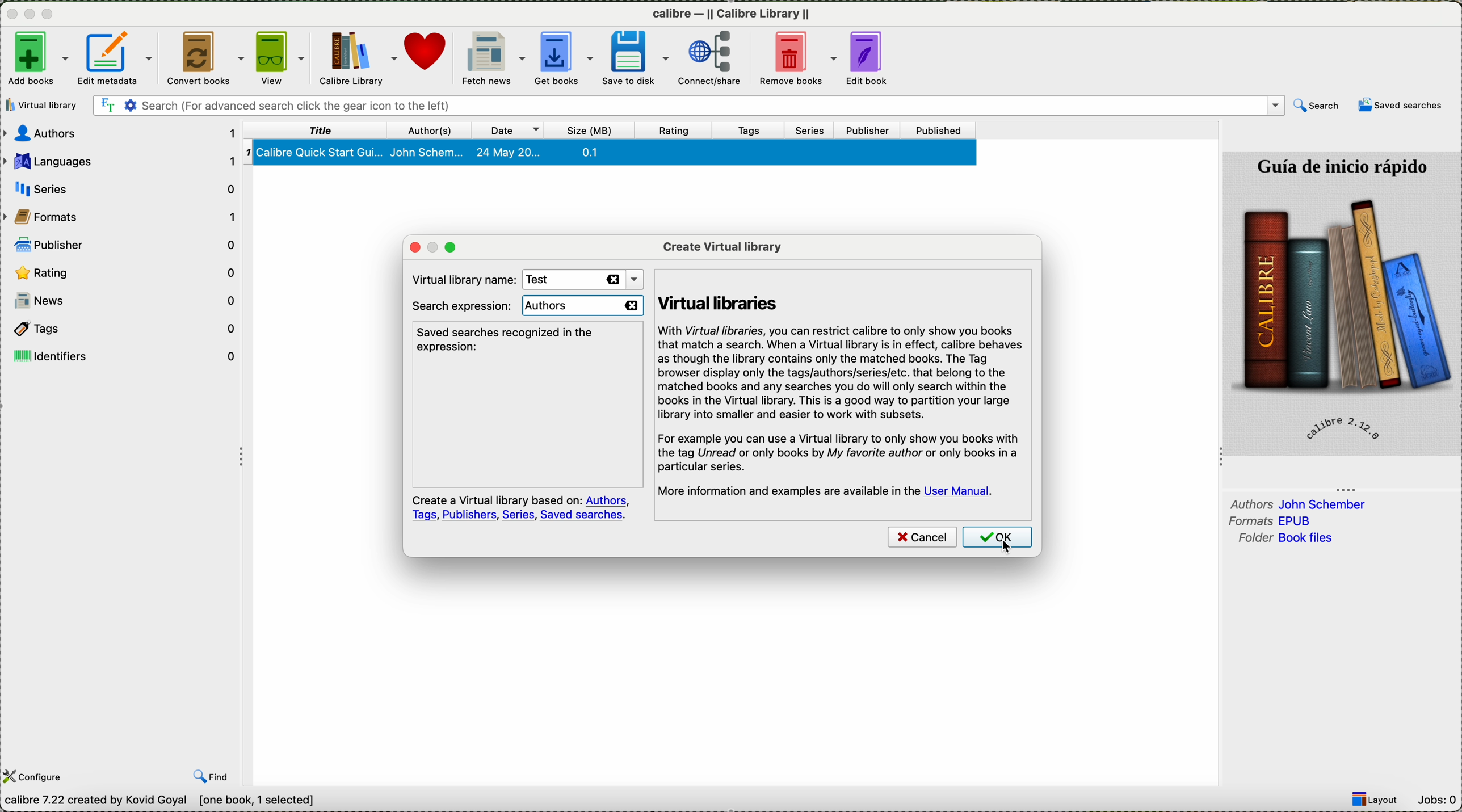 Image resolution: width=1462 pixels, height=812 pixels. What do you see at coordinates (1299, 503) in the screenshot?
I see `authors` at bounding box center [1299, 503].